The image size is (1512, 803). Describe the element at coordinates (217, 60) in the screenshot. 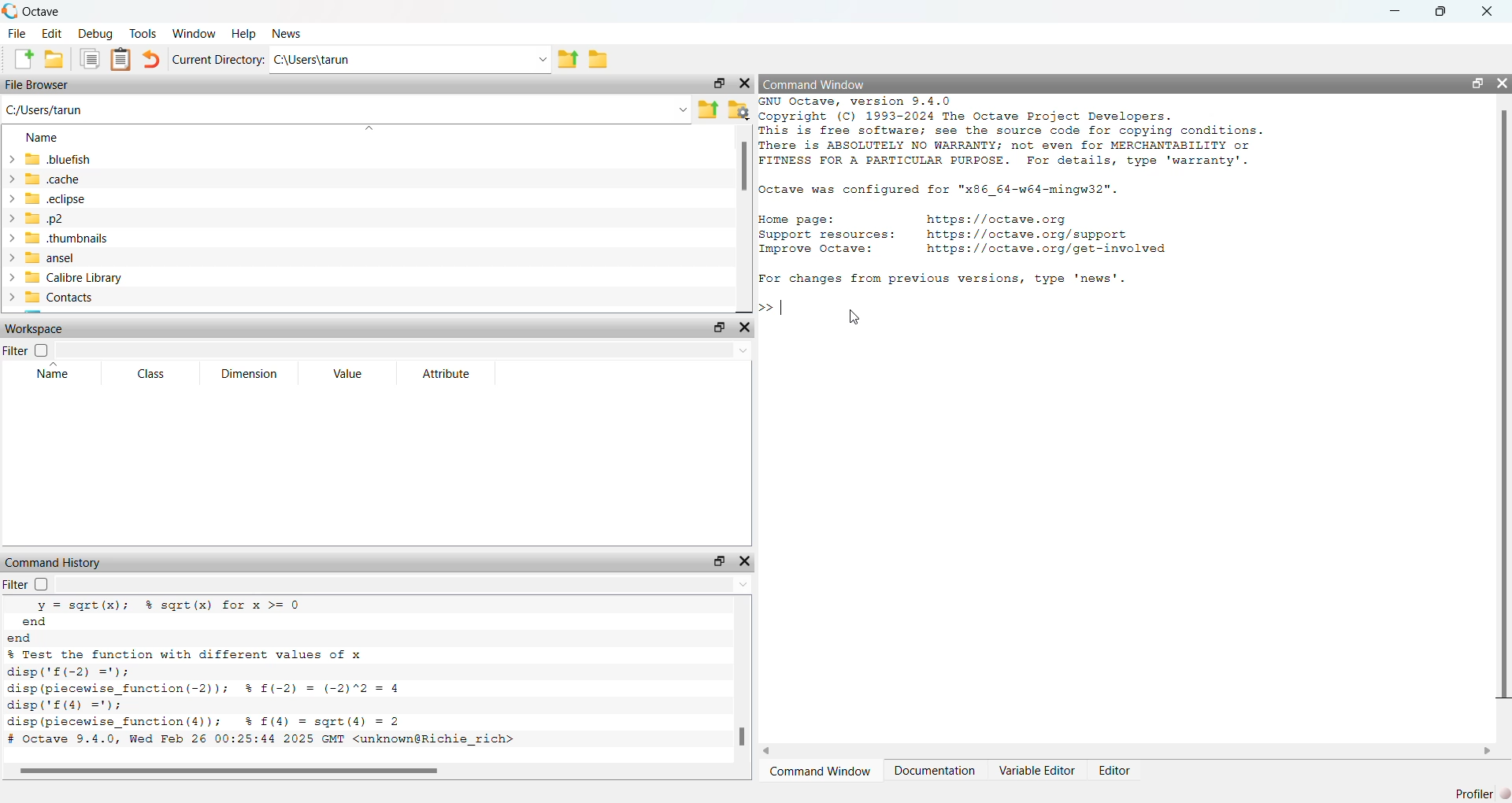

I see `Current Directory:` at that location.